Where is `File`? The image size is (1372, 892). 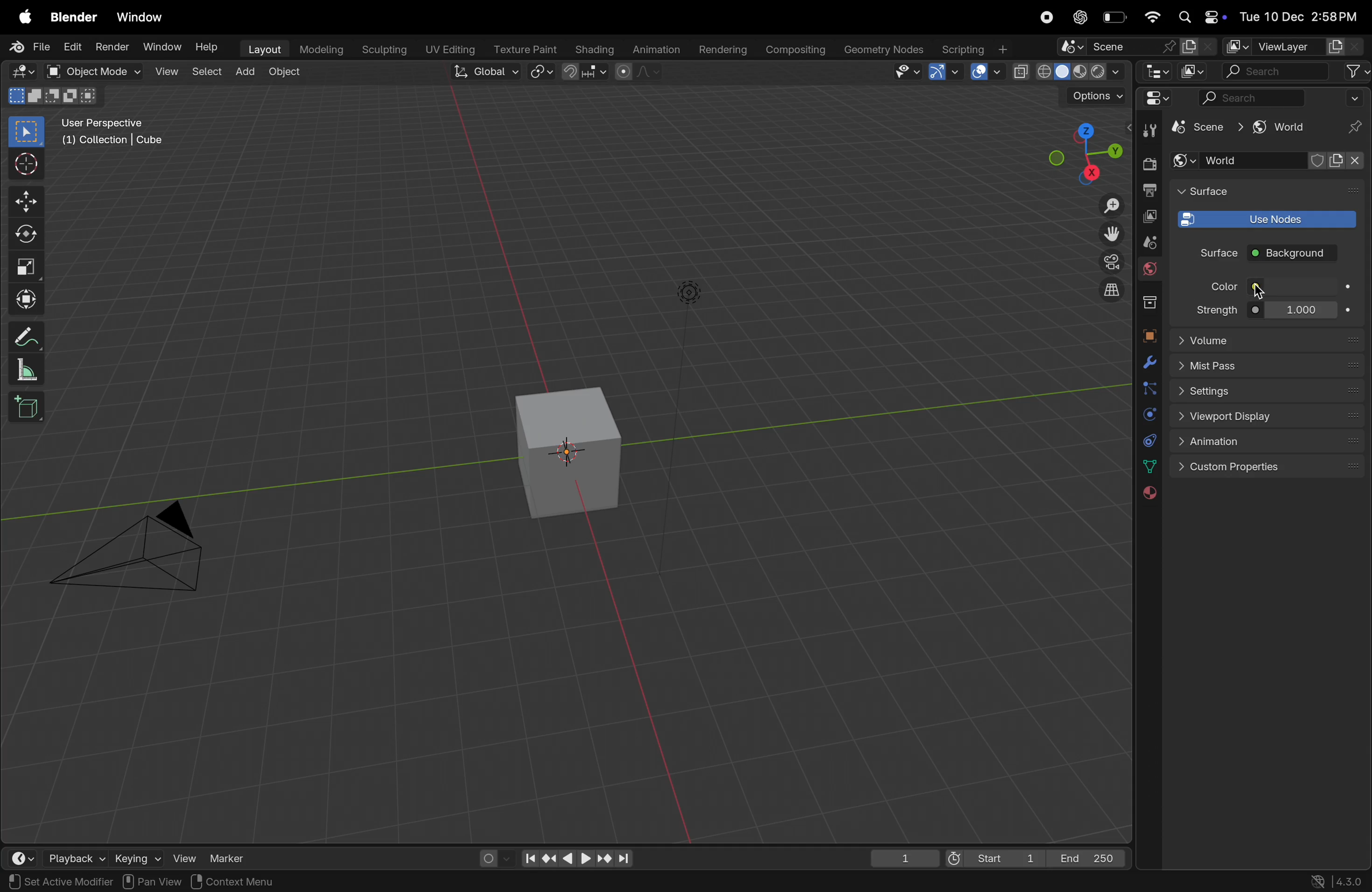
File is located at coordinates (31, 48).